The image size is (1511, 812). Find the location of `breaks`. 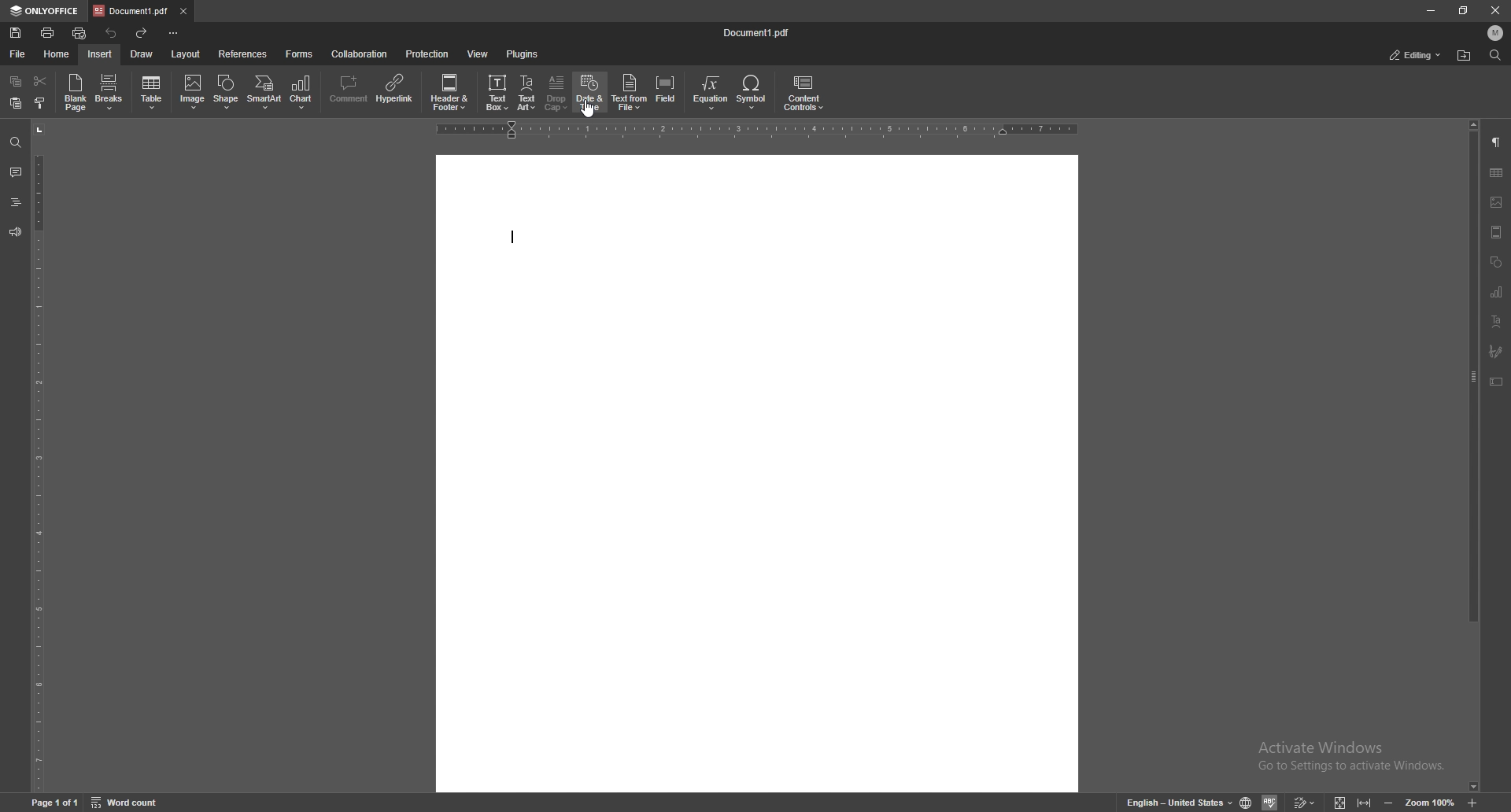

breaks is located at coordinates (110, 92).